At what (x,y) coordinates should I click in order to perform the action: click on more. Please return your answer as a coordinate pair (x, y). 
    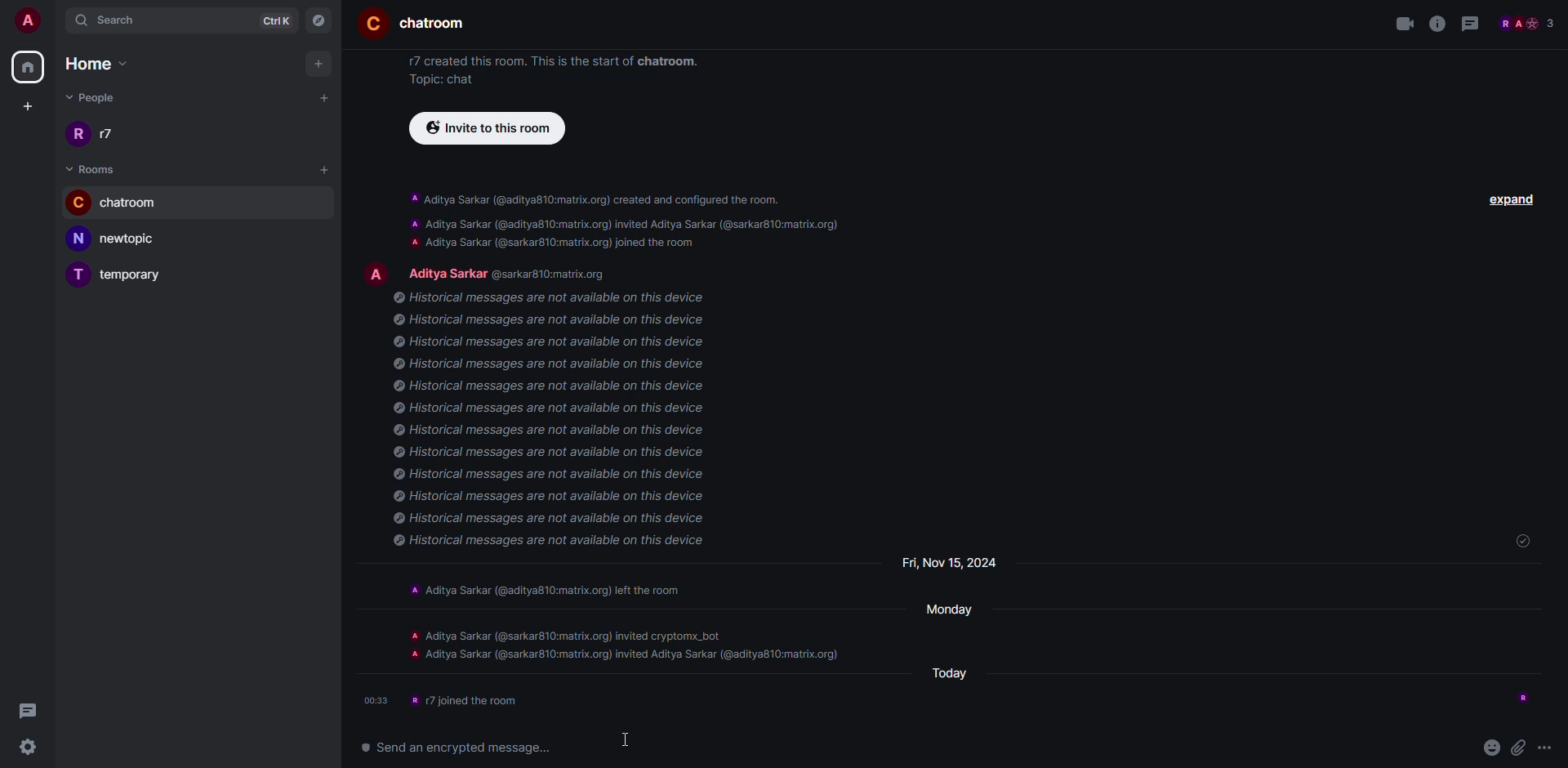
    Looking at the image, I should click on (1552, 744).